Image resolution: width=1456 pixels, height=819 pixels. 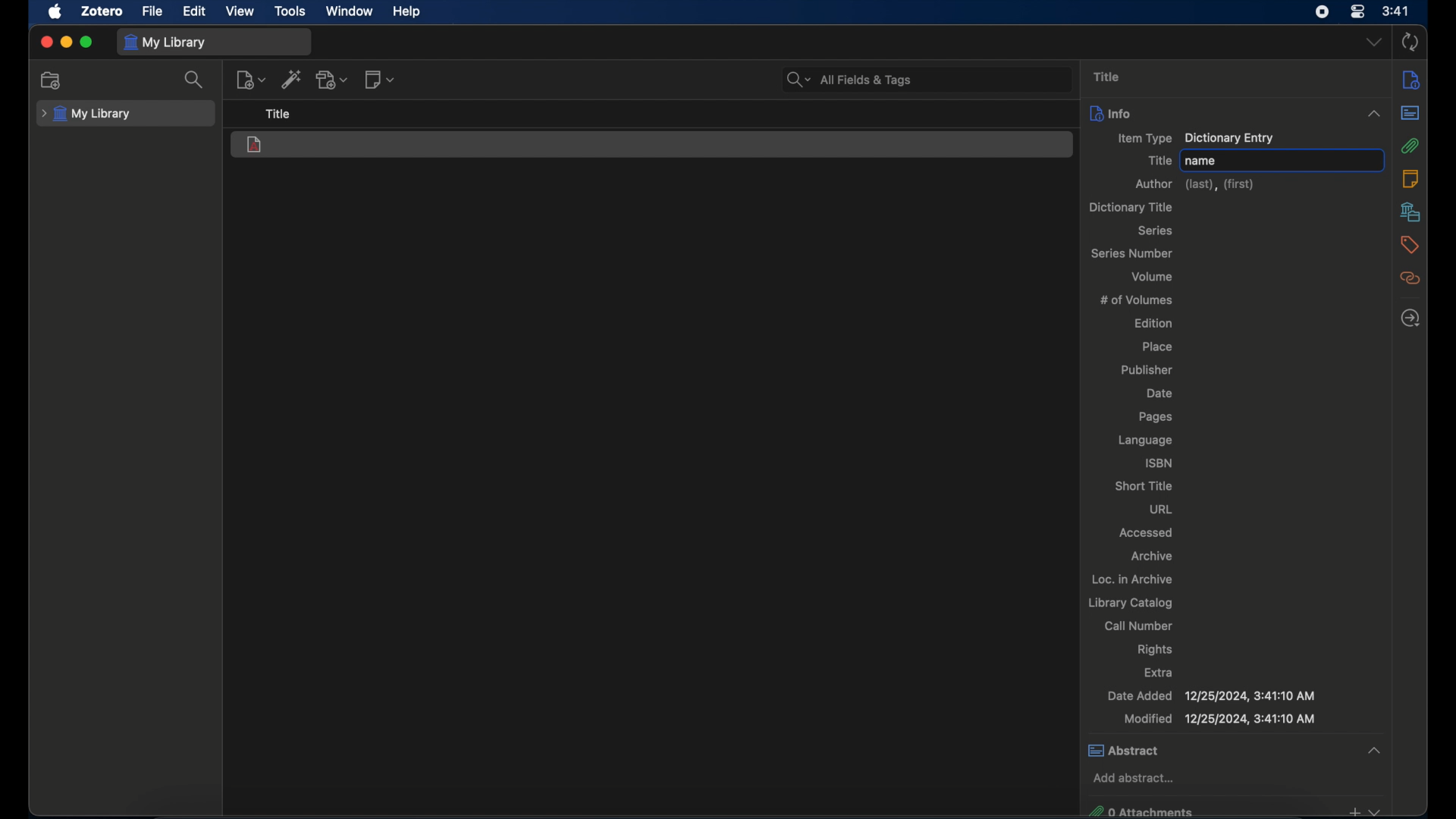 What do you see at coordinates (290, 79) in the screenshot?
I see `add item by identifier` at bounding box center [290, 79].